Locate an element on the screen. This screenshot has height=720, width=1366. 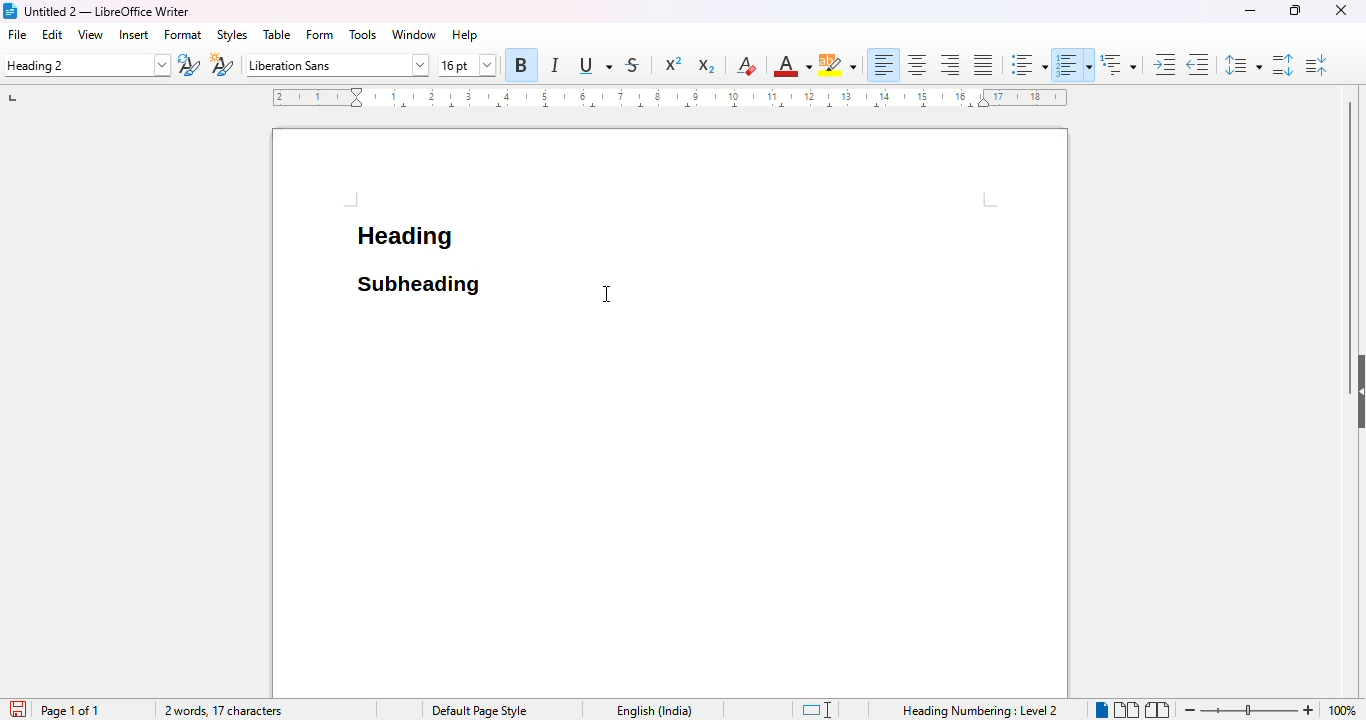
insert is located at coordinates (134, 35).